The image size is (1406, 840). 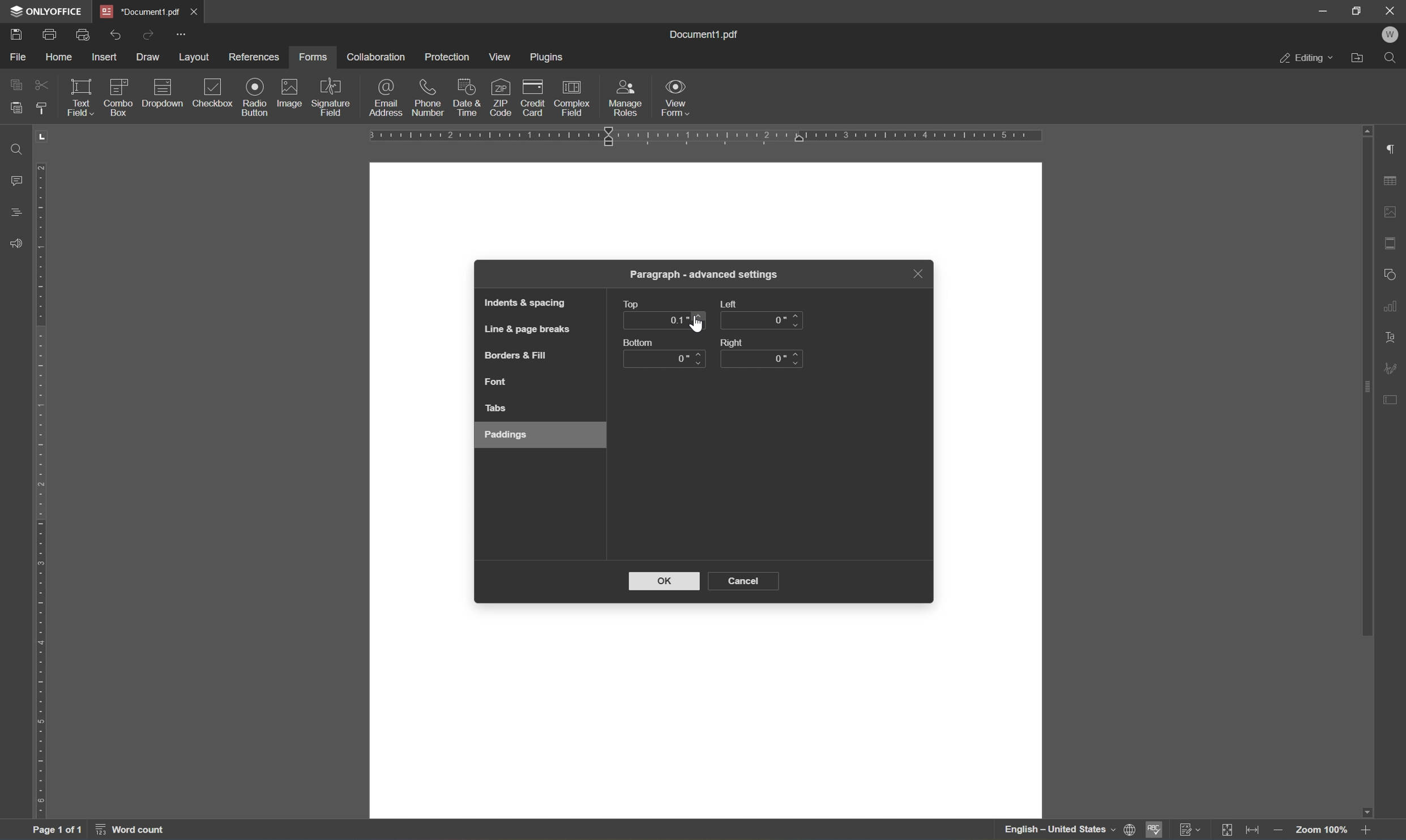 I want to click on image settings, so click(x=1391, y=214).